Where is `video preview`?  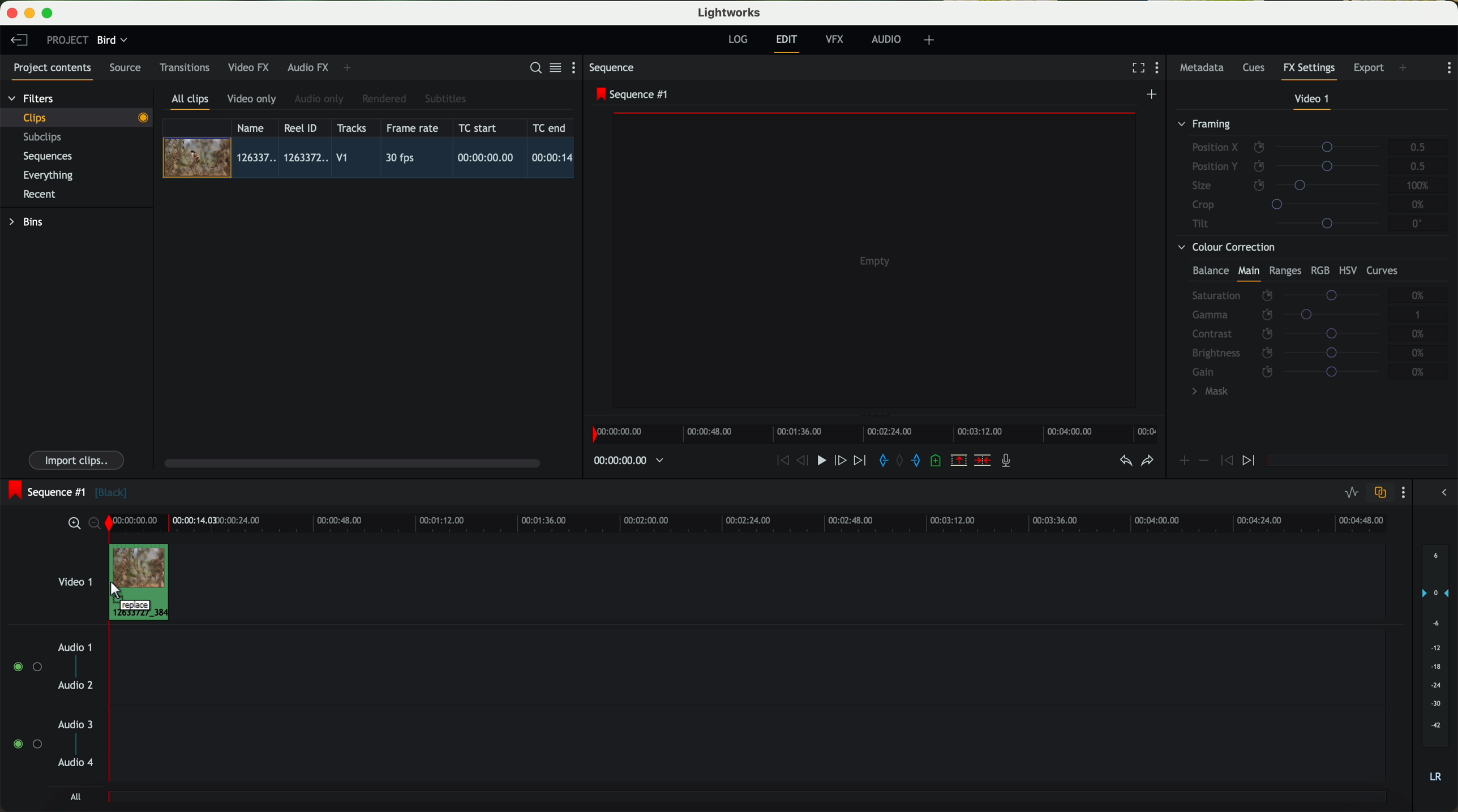 video preview is located at coordinates (880, 261).